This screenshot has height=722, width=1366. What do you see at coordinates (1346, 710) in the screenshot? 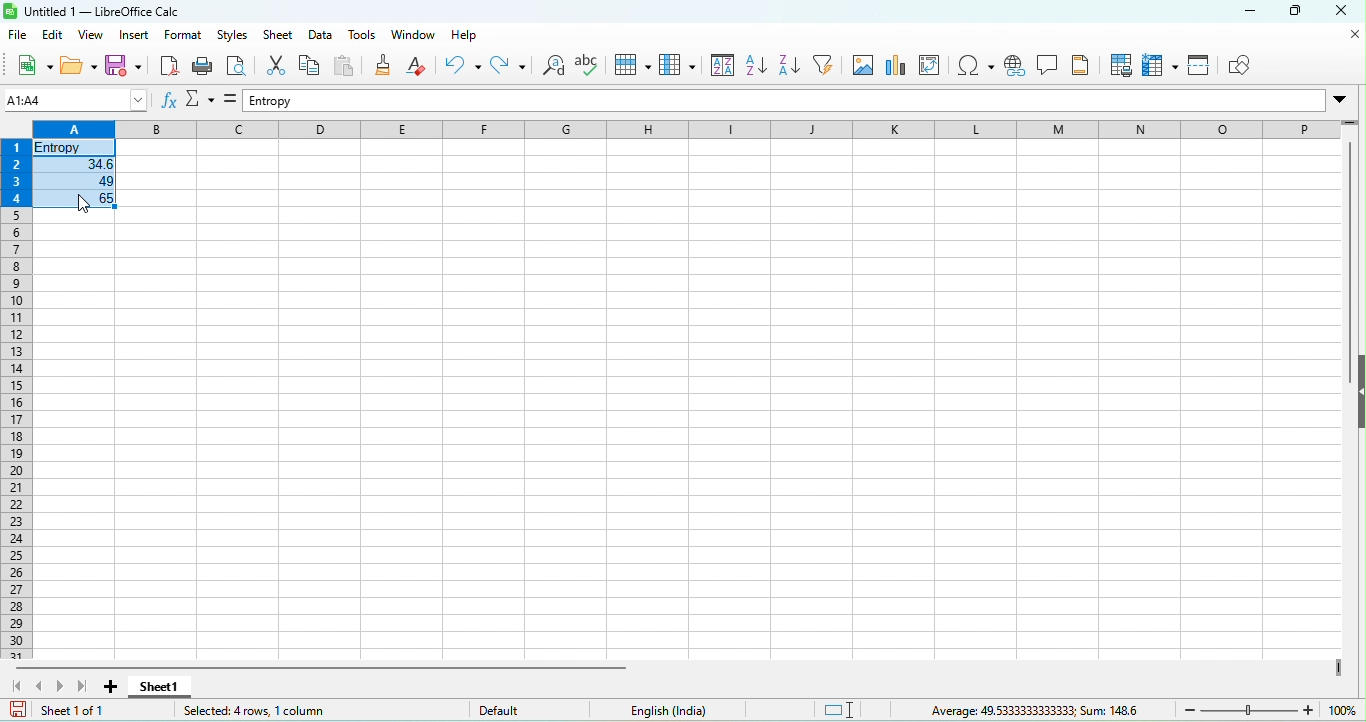
I see `zoom` at bounding box center [1346, 710].